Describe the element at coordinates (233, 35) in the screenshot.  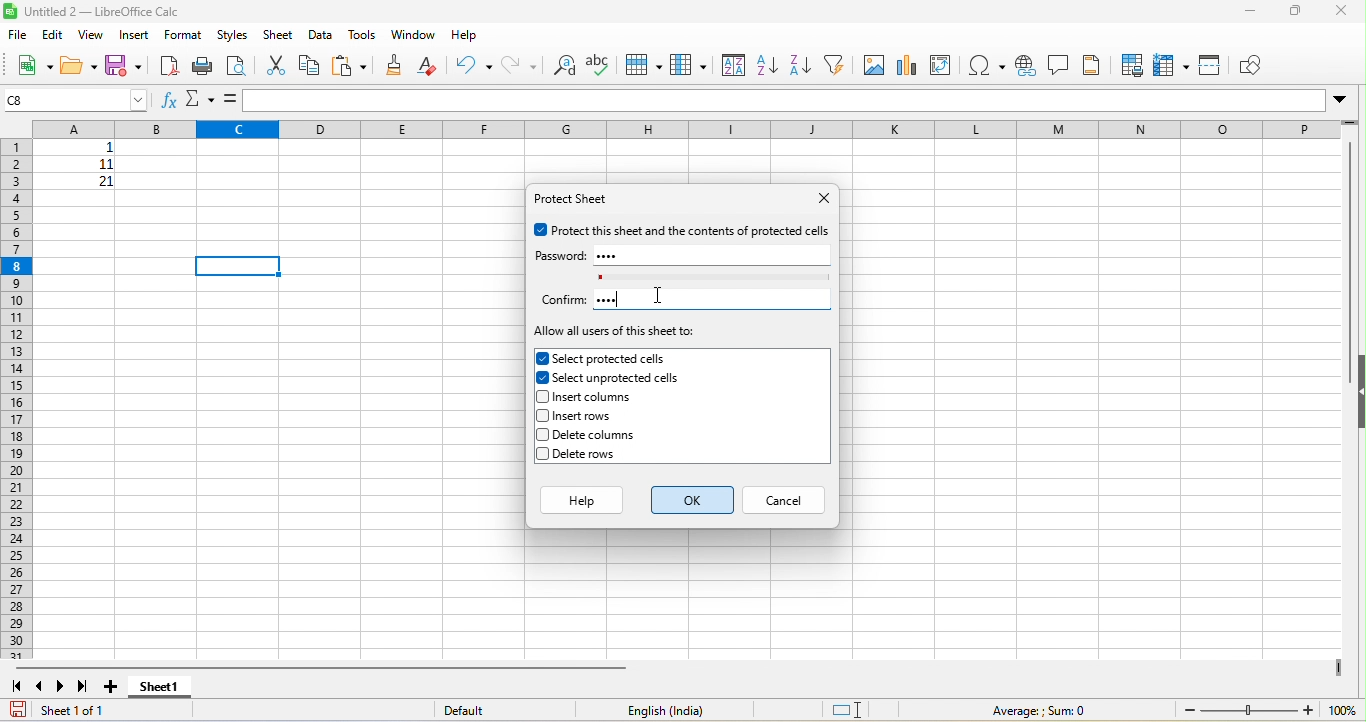
I see `styles` at that location.